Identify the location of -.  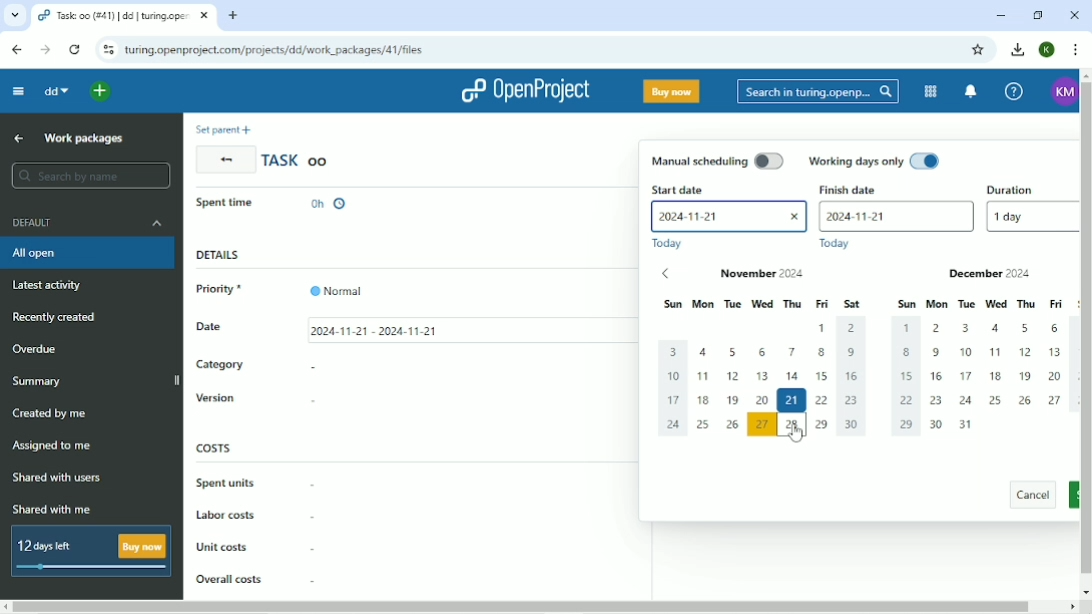
(312, 546).